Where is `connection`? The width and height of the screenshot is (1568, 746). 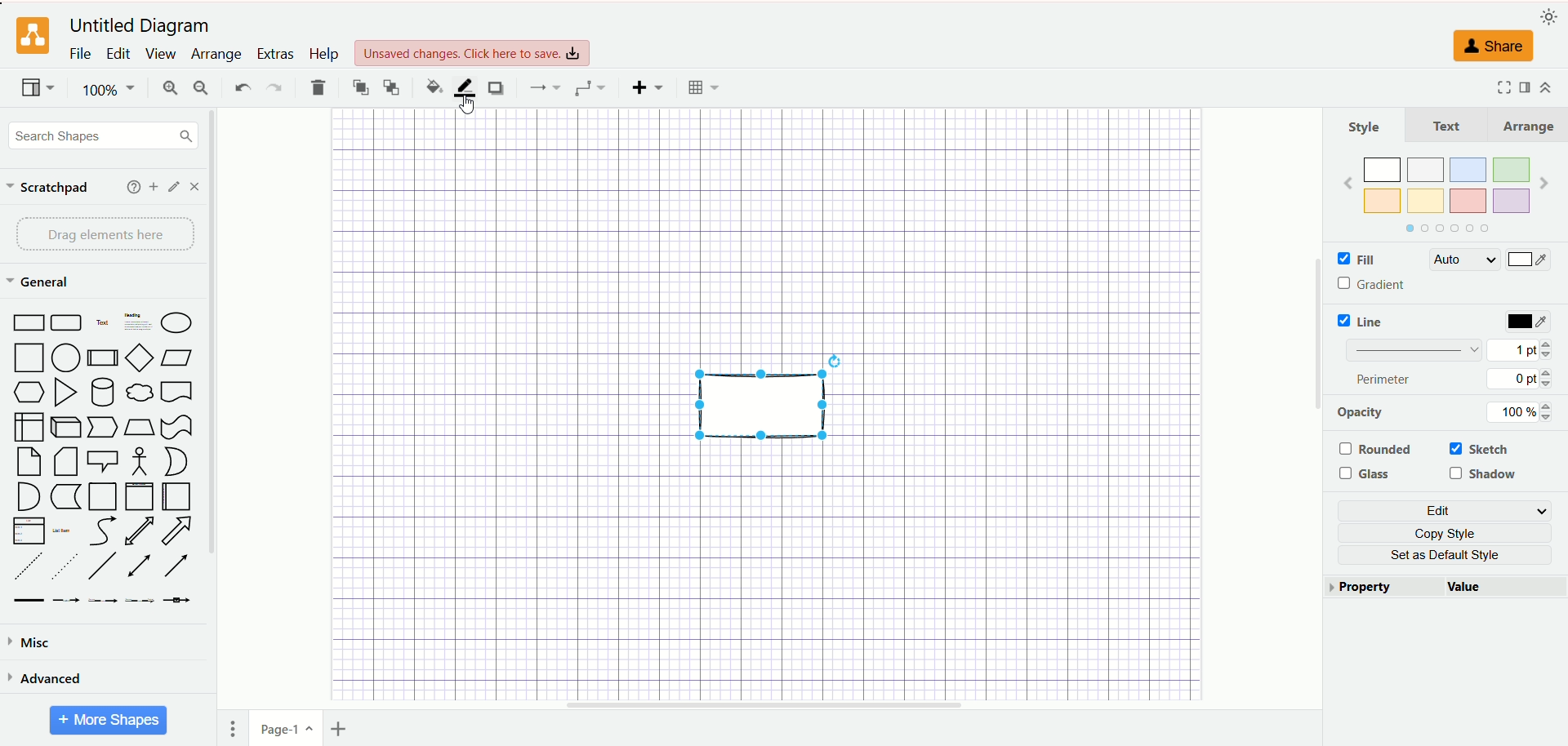 connection is located at coordinates (542, 87).